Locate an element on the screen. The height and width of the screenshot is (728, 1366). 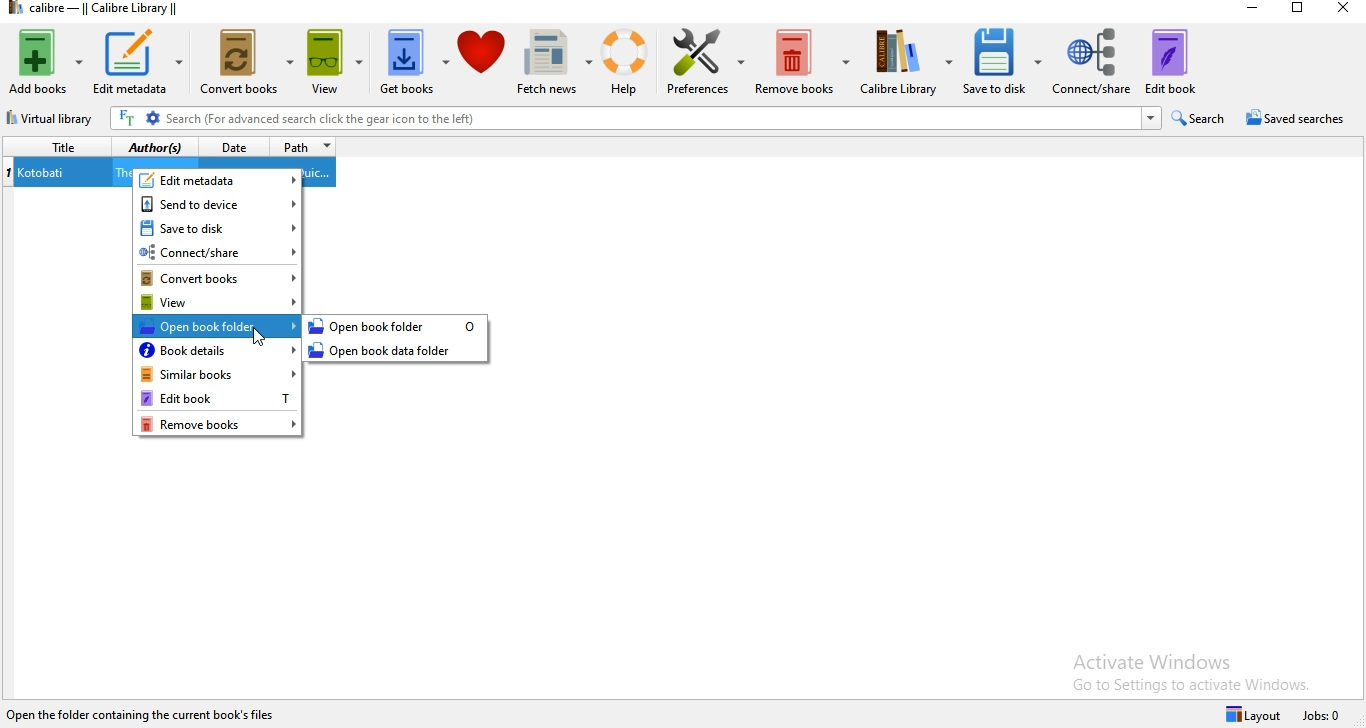
edit metadata is located at coordinates (219, 179).